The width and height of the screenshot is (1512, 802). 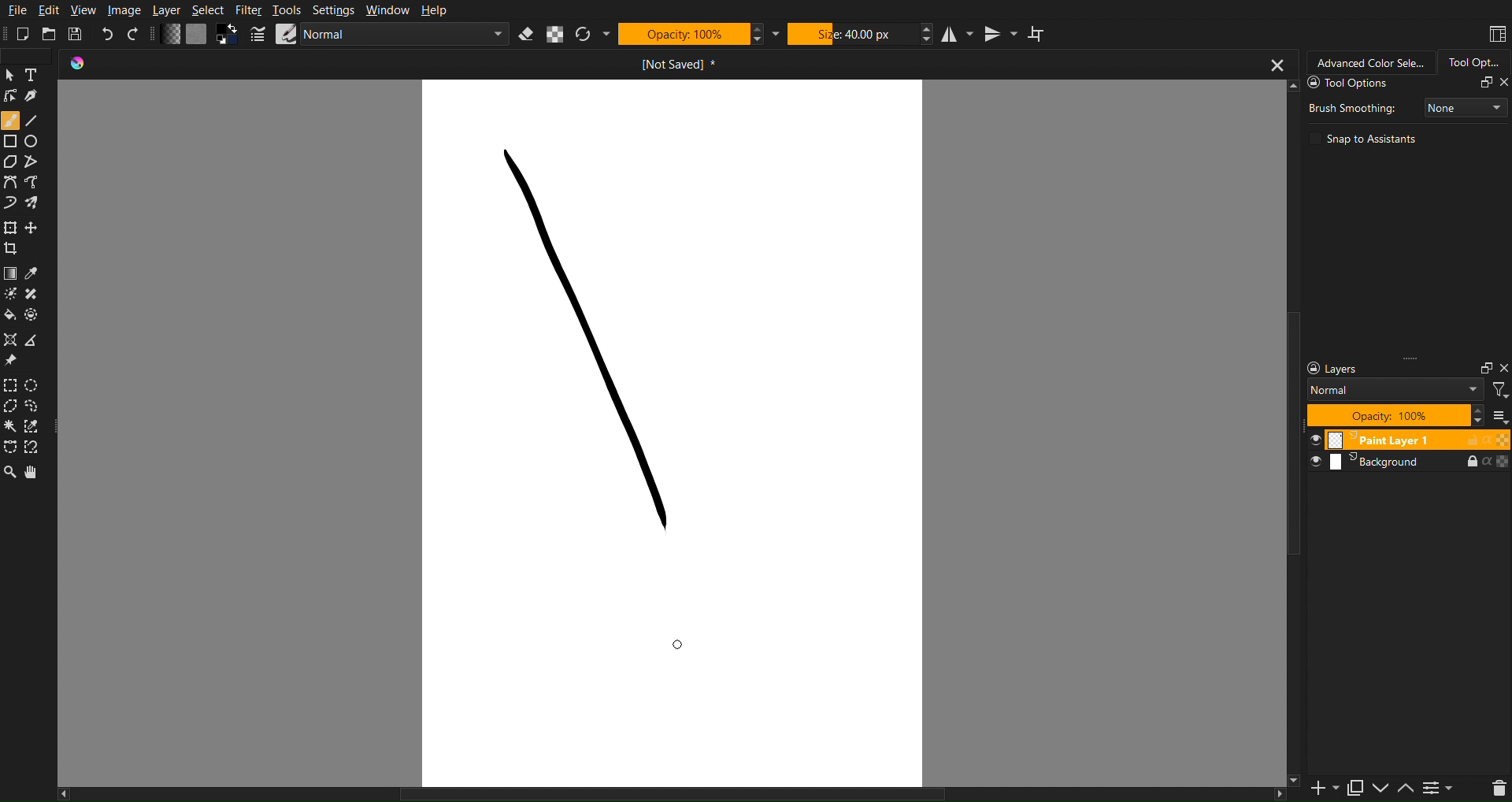 What do you see at coordinates (1388, 369) in the screenshot?
I see `Layer Settings` at bounding box center [1388, 369].